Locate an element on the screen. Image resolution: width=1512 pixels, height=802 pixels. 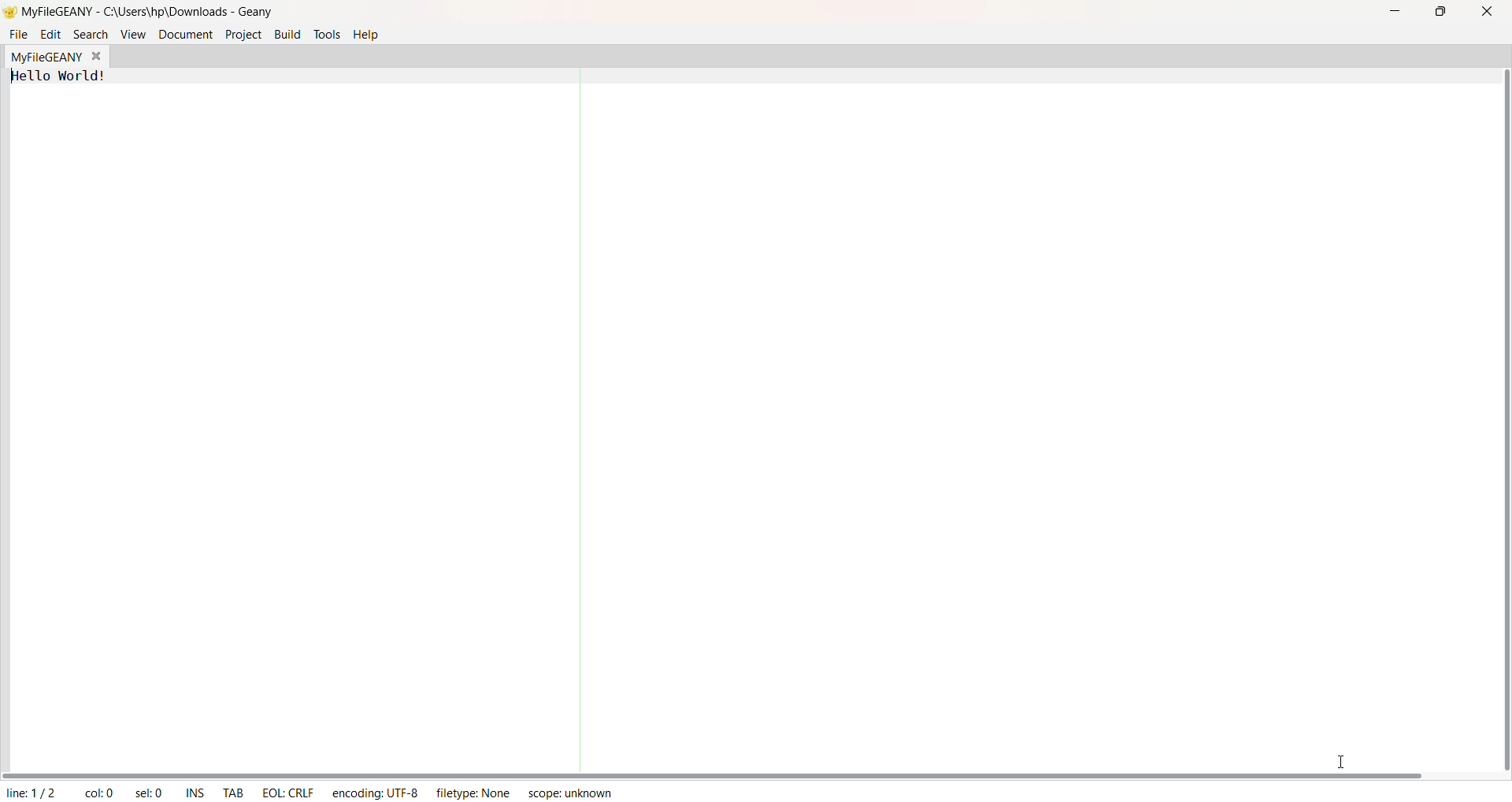
Document is located at coordinates (186, 35).